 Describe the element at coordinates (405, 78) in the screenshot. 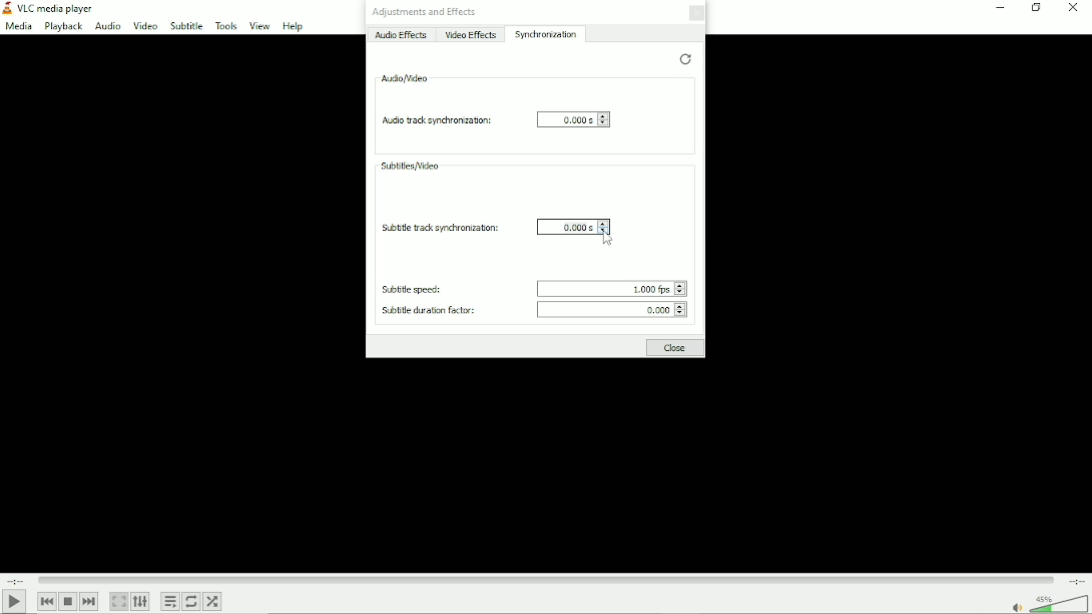

I see `Audio/video` at that location.